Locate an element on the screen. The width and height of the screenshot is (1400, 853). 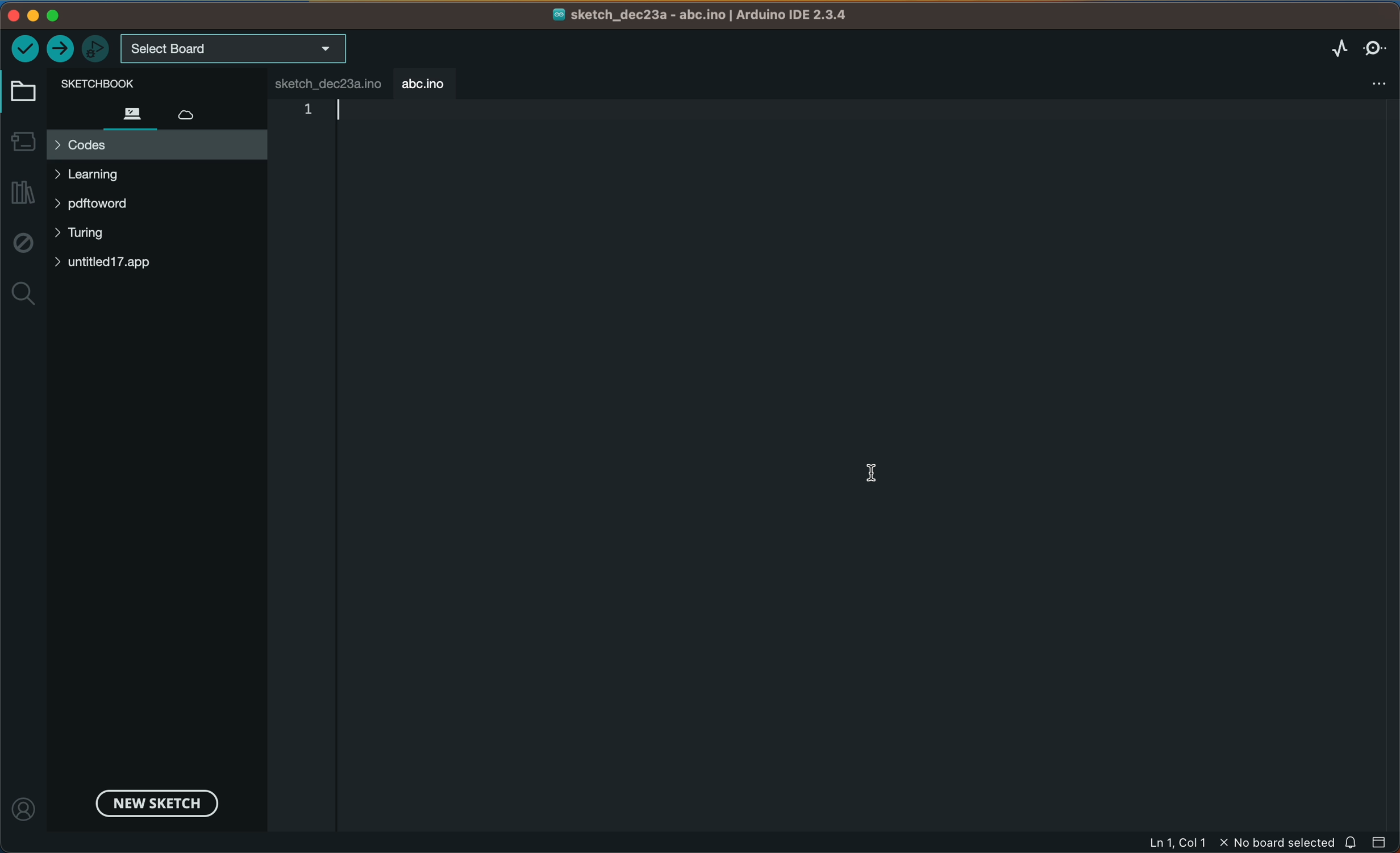
abc.ino is located at coordinates (426, 82).